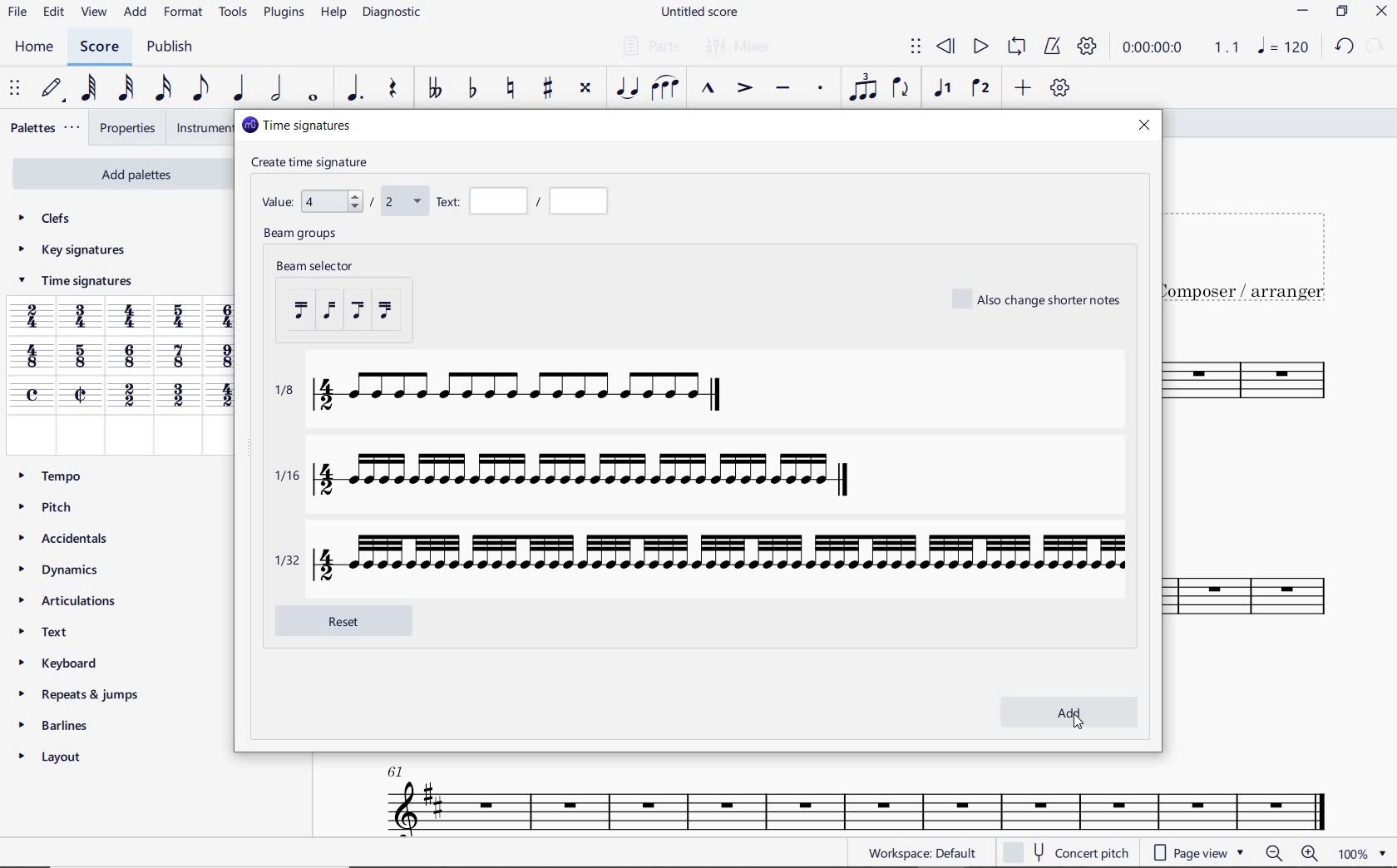 This screenshot has height=868, width=1397. I want to click on workspace default, so click(926, 852).